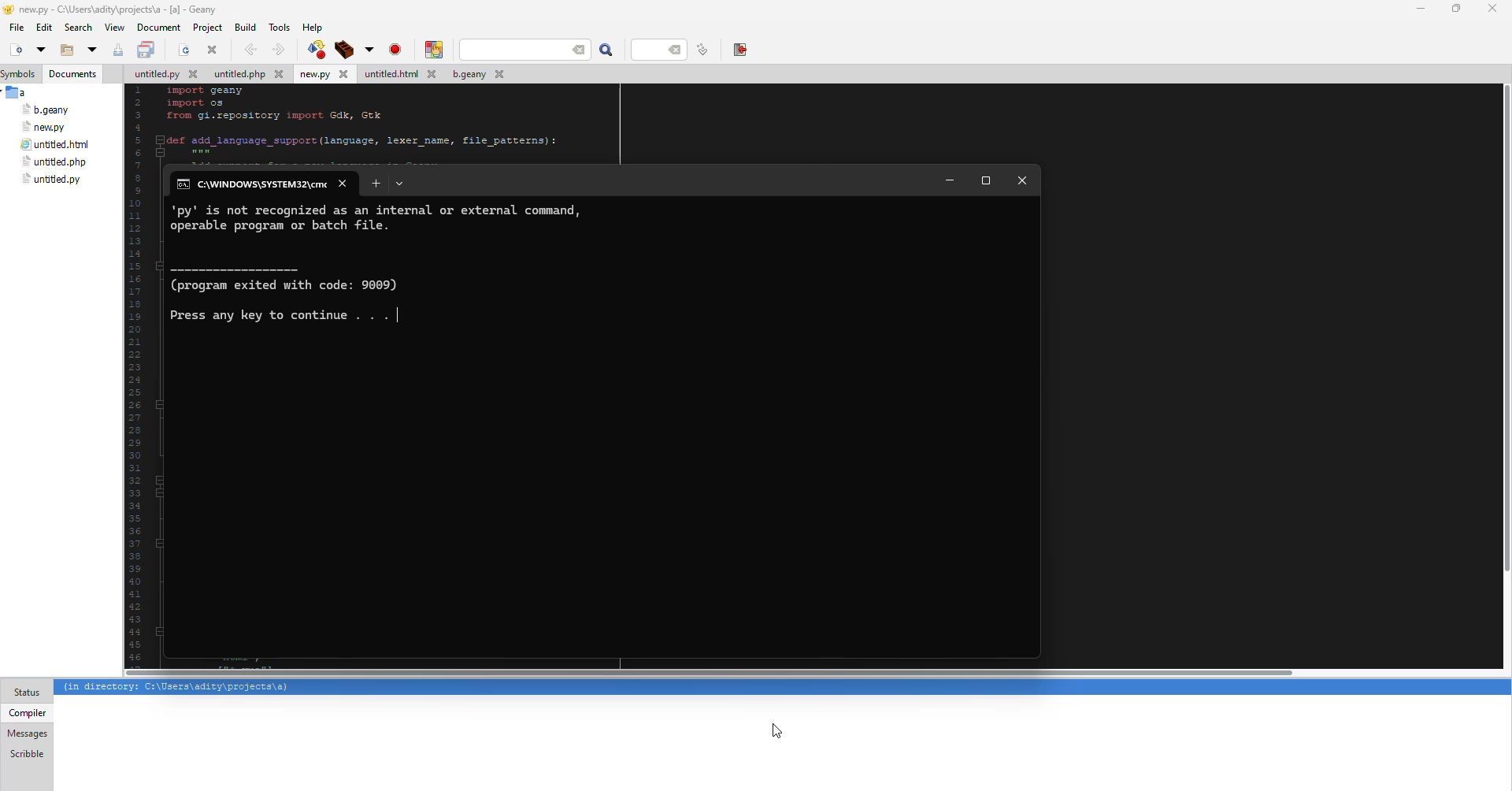  Describe the element at coordinates (43, 110) in the screenshot. I see `file` at that location.